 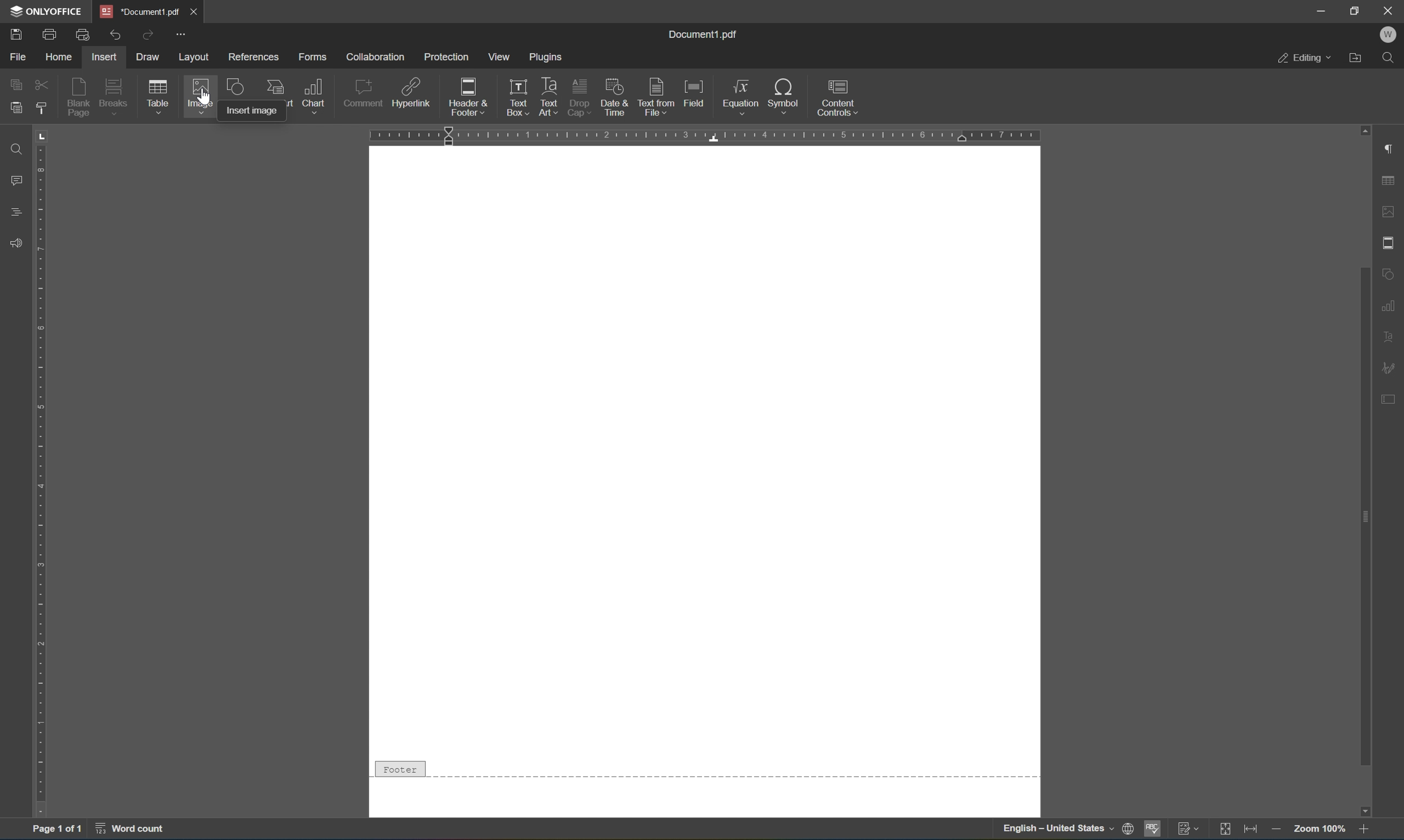 I want to click on insert image, so click(x=249, y=112).